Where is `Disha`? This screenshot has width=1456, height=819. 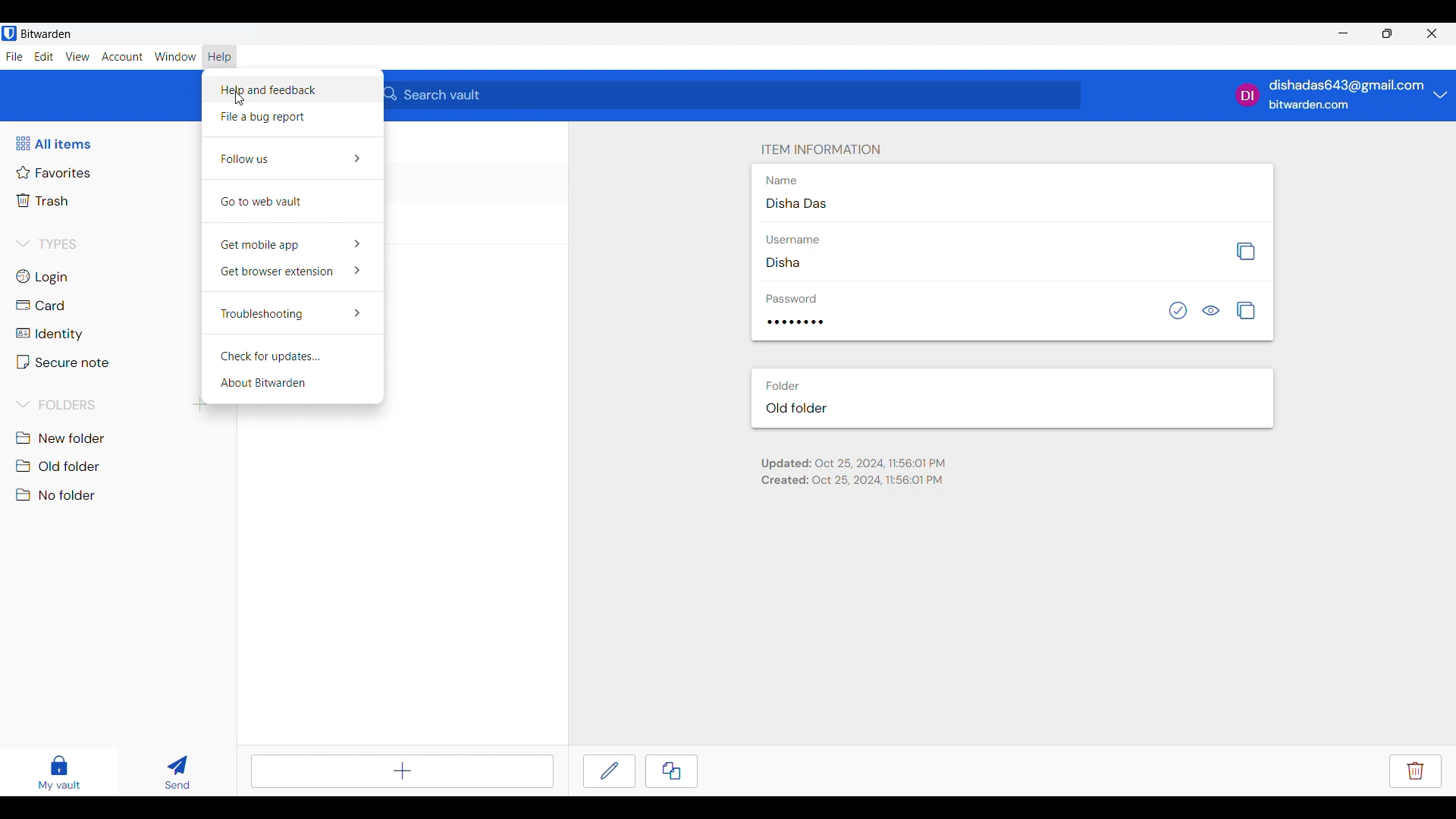
Disha is located at coordinates (783, 262).